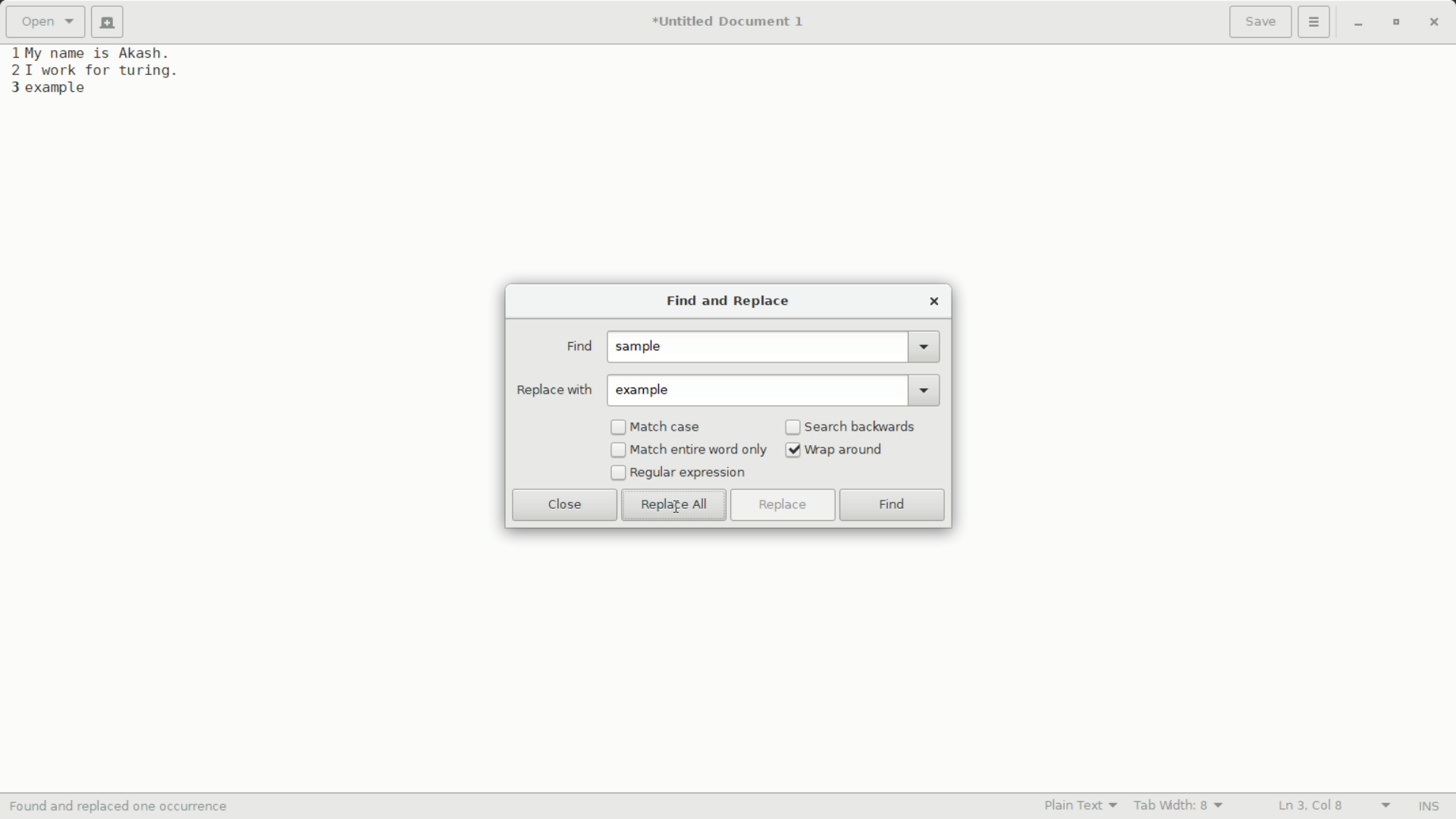 The height and width of the screenshot is (819, 1456). I want to click on 1My name is Akash., so click(93, 52).